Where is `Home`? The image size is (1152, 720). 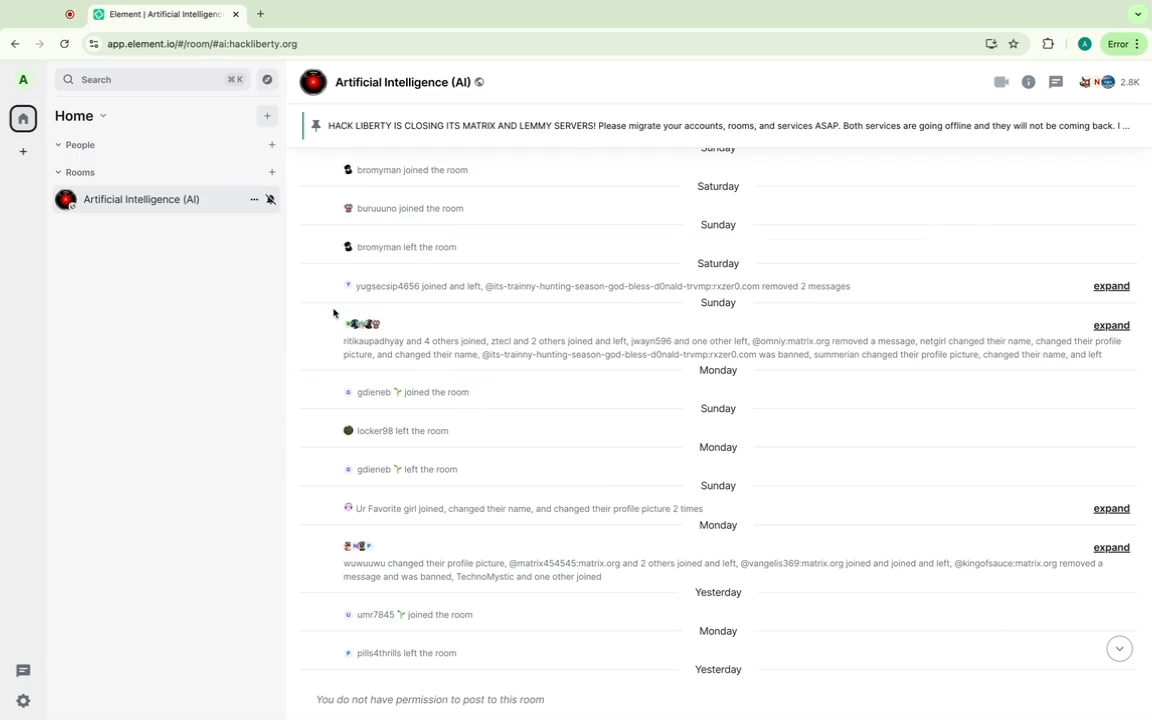 Home is located at coordinates (23, 118).